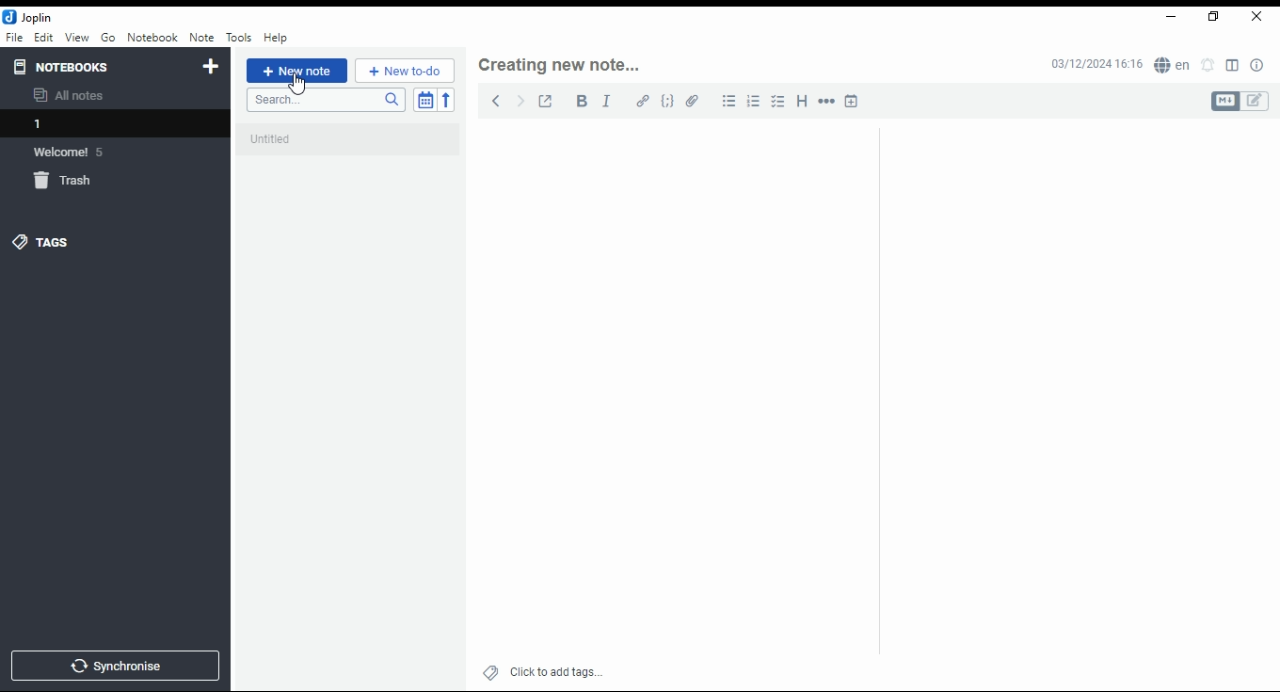 This screenshot has width=1280, height=692. Describe the element at coordinates (776, 103) in the screenshot. I see `checkbox` at that location.